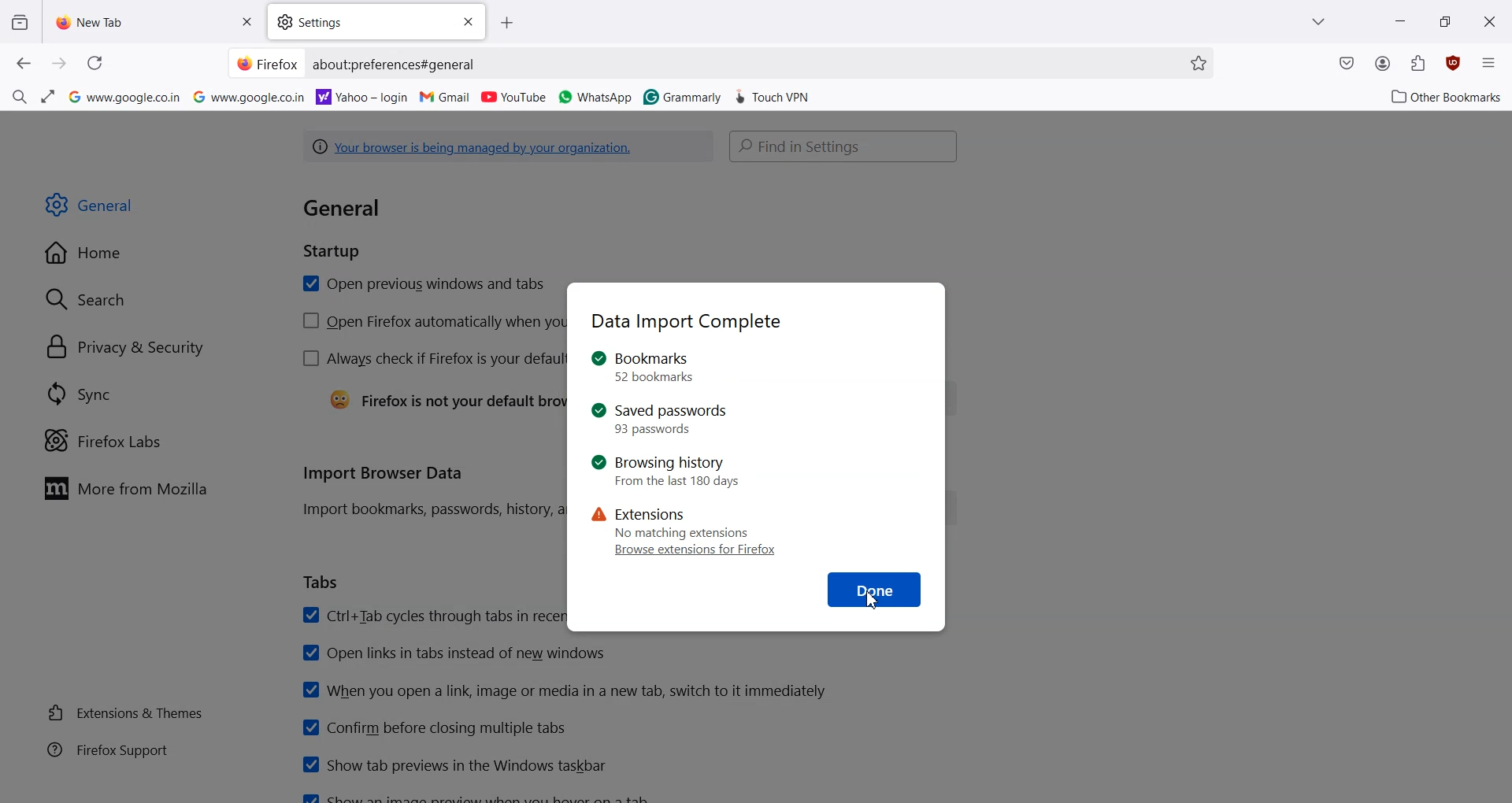 The width and height of the screenshot is (1512, 803). What do you see at coordinates (1442, 95) in the screenshot?
I see `Other Bookmarks` at bounding box center [1442, 95].